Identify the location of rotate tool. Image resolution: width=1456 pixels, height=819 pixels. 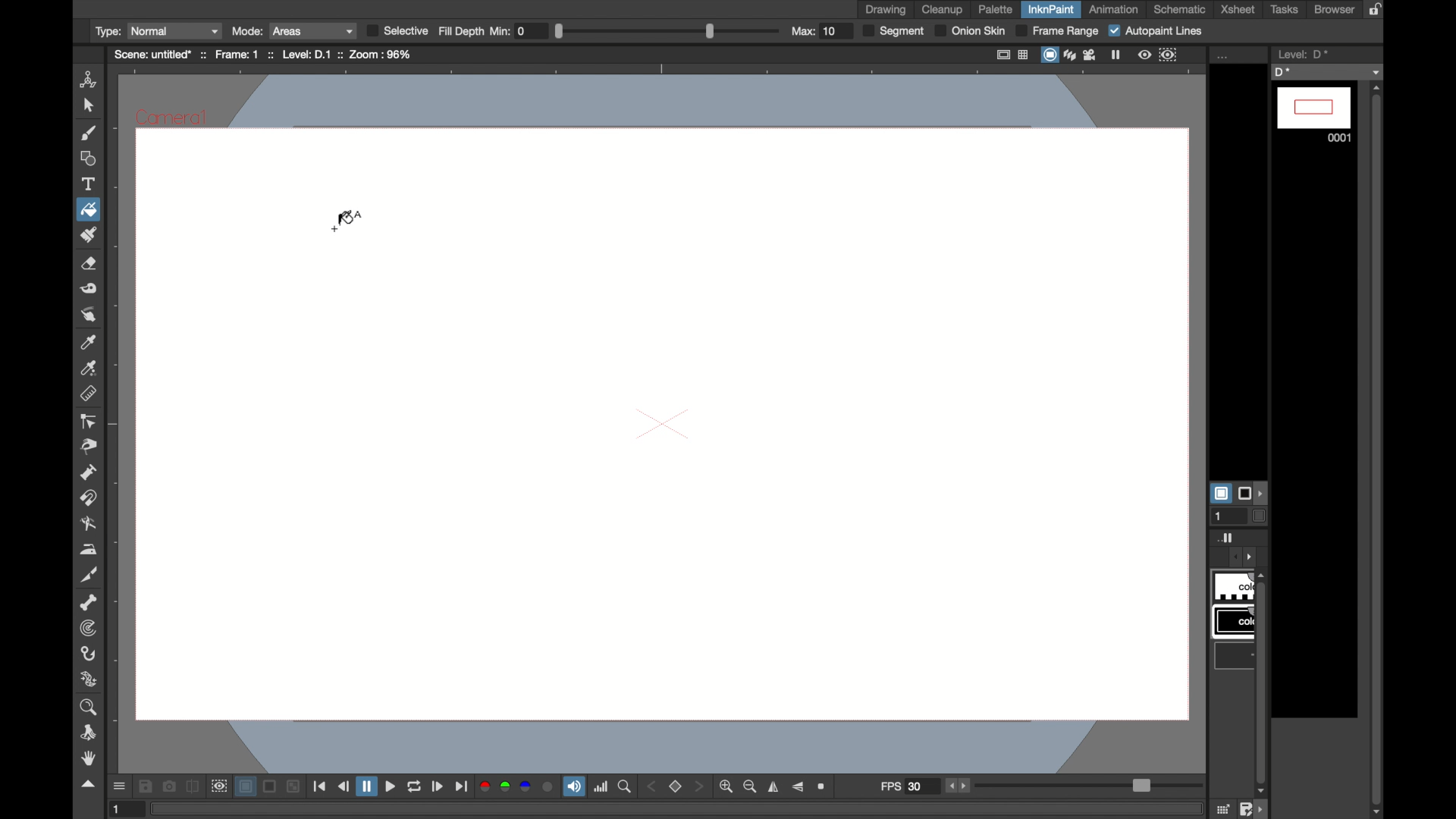
(90, 733).